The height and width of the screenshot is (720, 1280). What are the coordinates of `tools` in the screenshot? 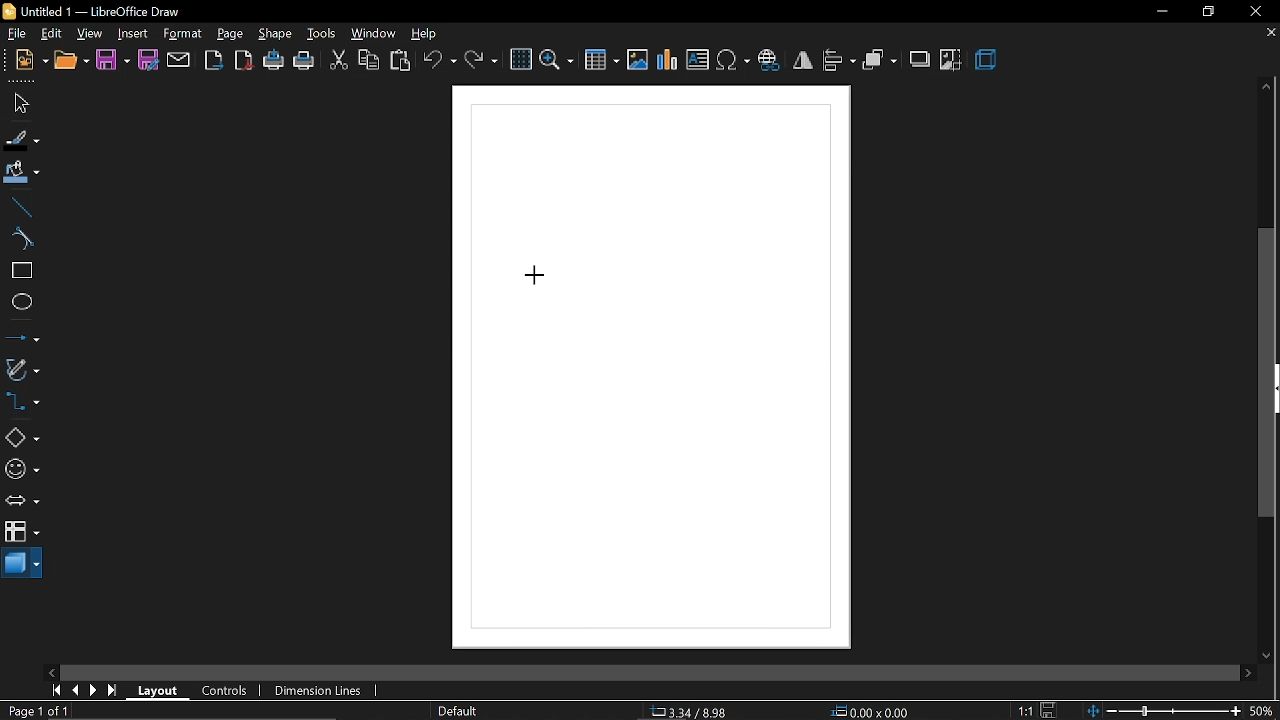 It's located at (324, 34).